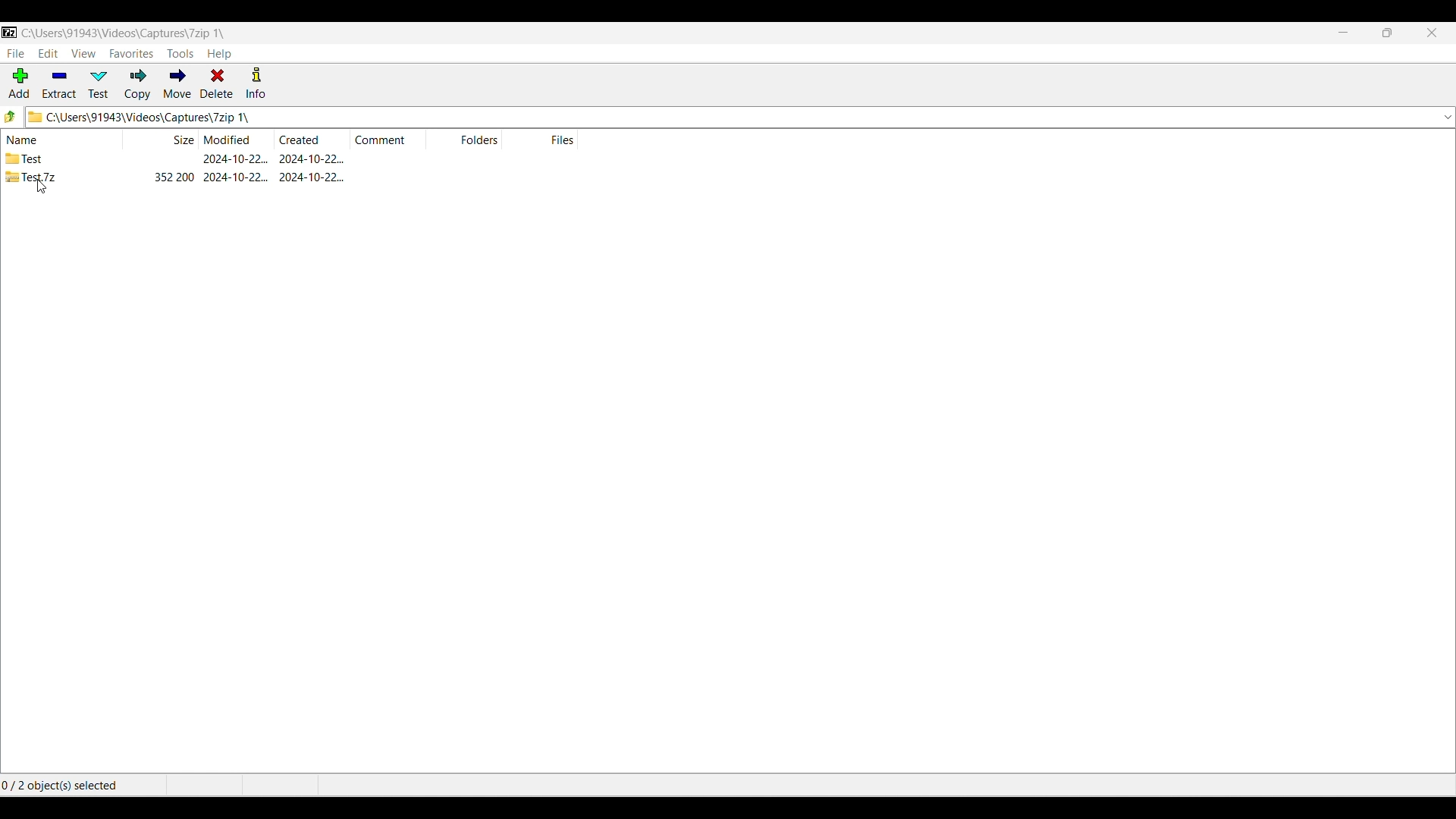  I want to click on Go back one folder, so click(10, 117).